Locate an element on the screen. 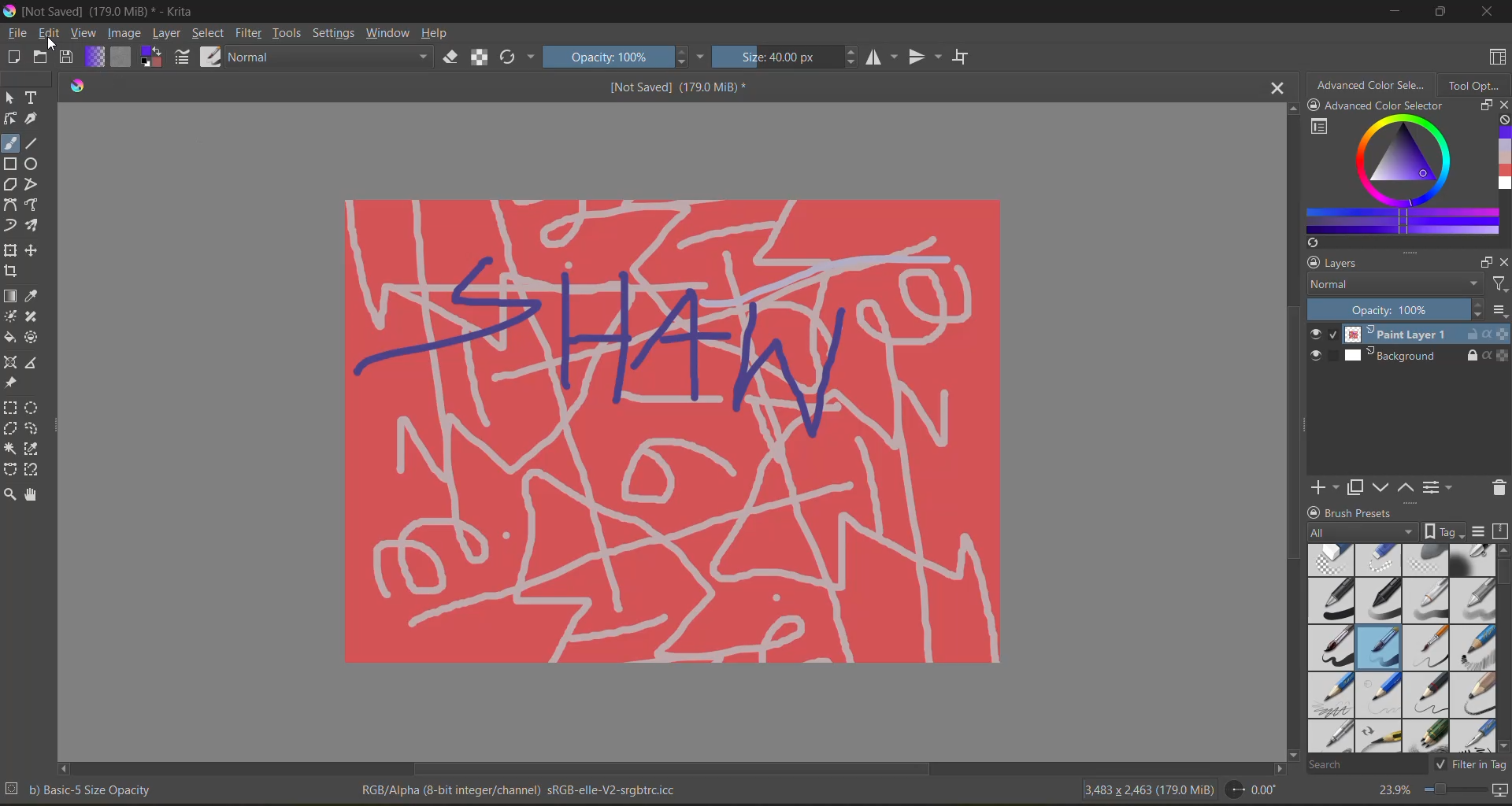 The width and height of the screenshot is (1512, 806). horizontal scroll bar is located at coordinates (672, 767).